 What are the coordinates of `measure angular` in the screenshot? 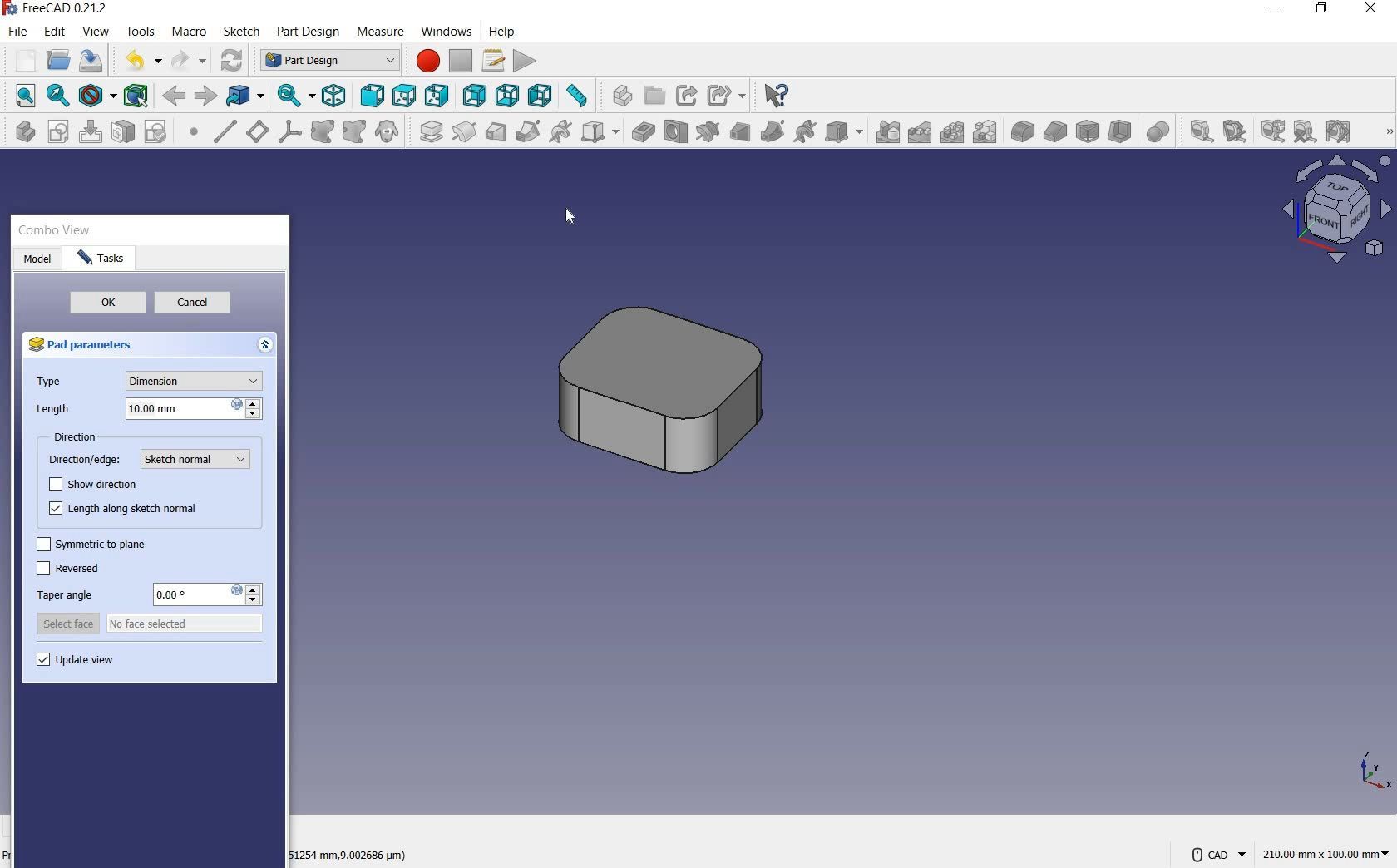 It's located at (1236, 131).